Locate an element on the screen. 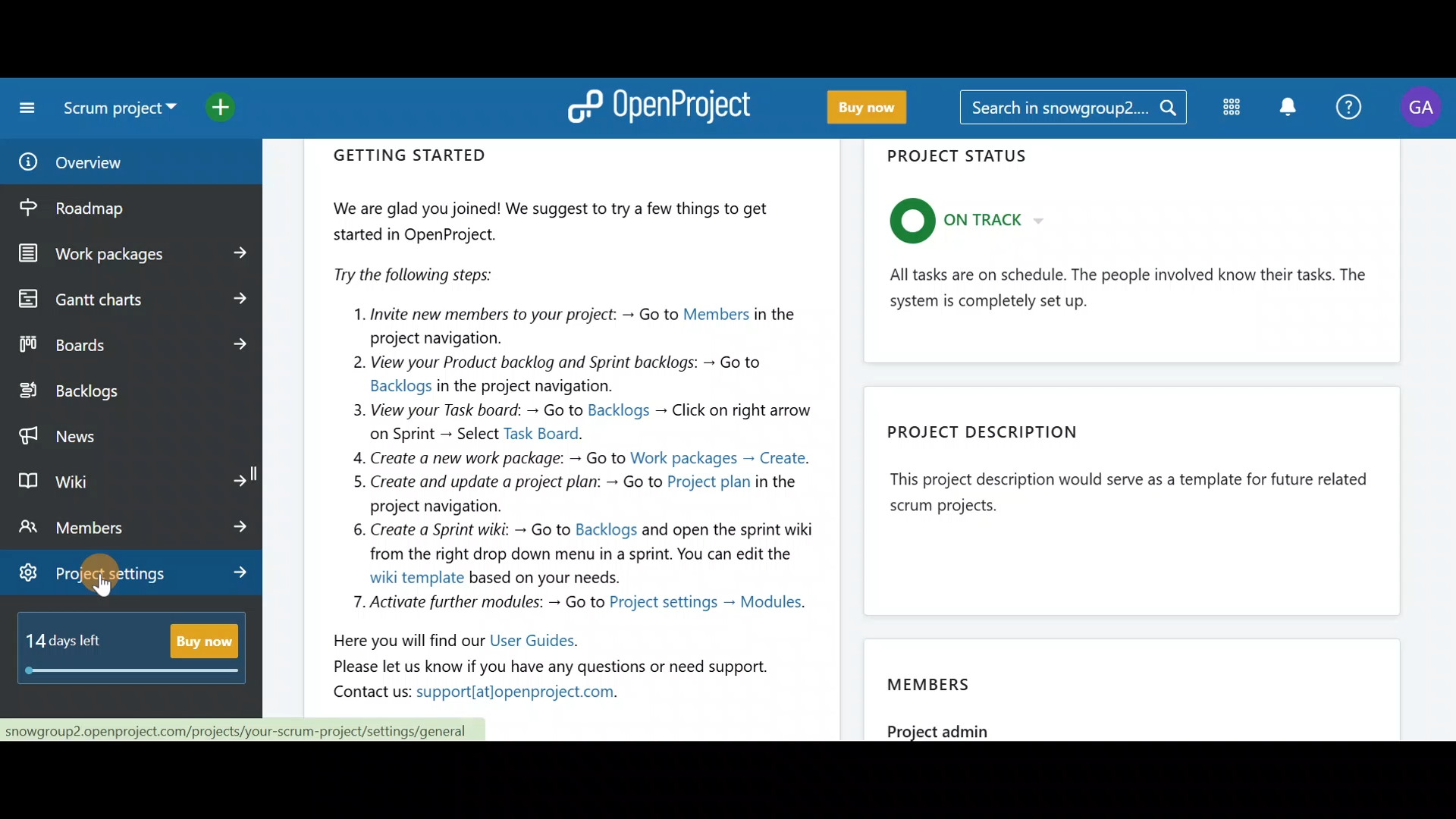  Select a project is located at coordinates (123, 114).